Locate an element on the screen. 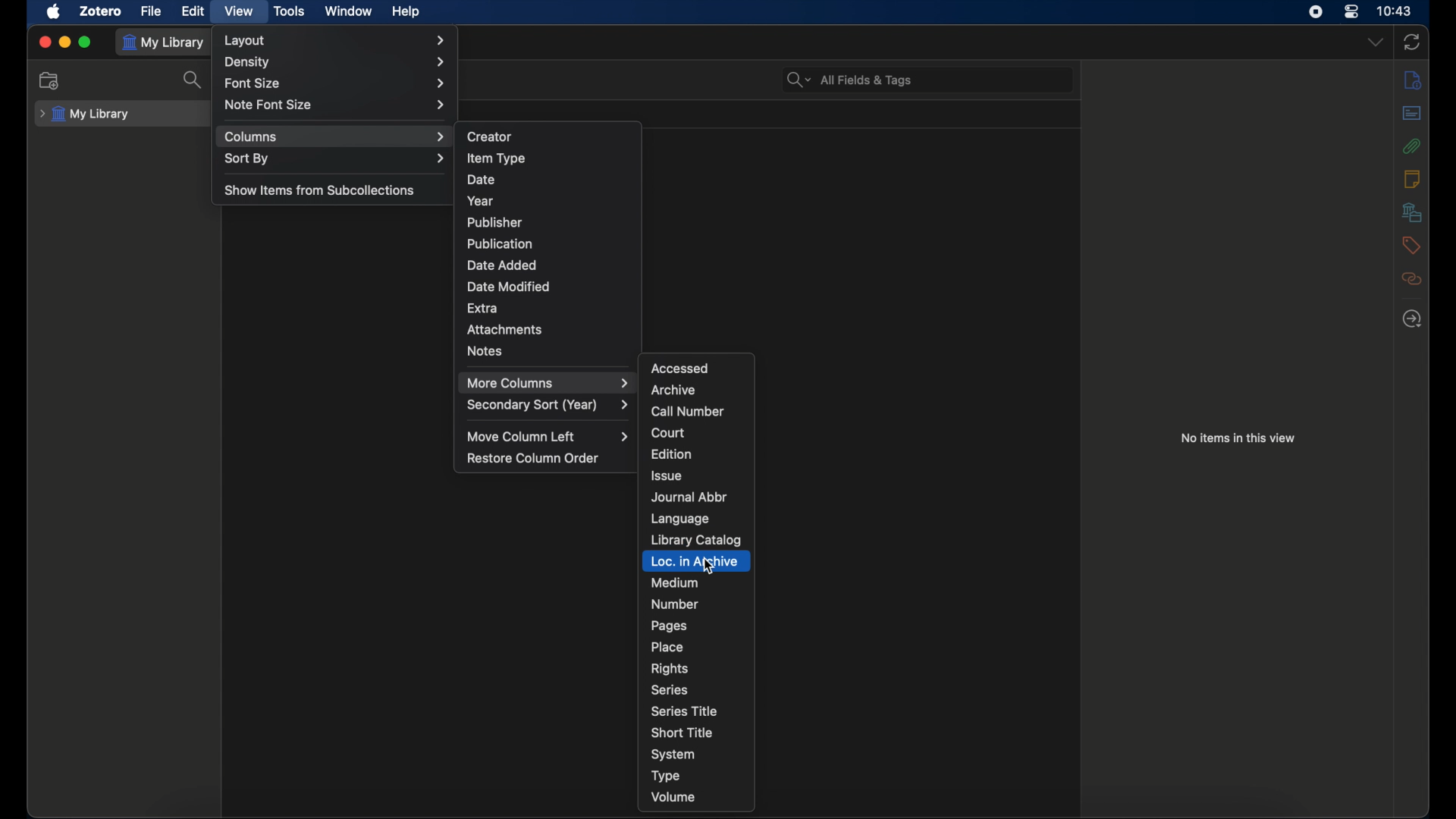 The height and width of the screenshot is (819, 1456). loc. in archive is located at coordinates (695, 561).